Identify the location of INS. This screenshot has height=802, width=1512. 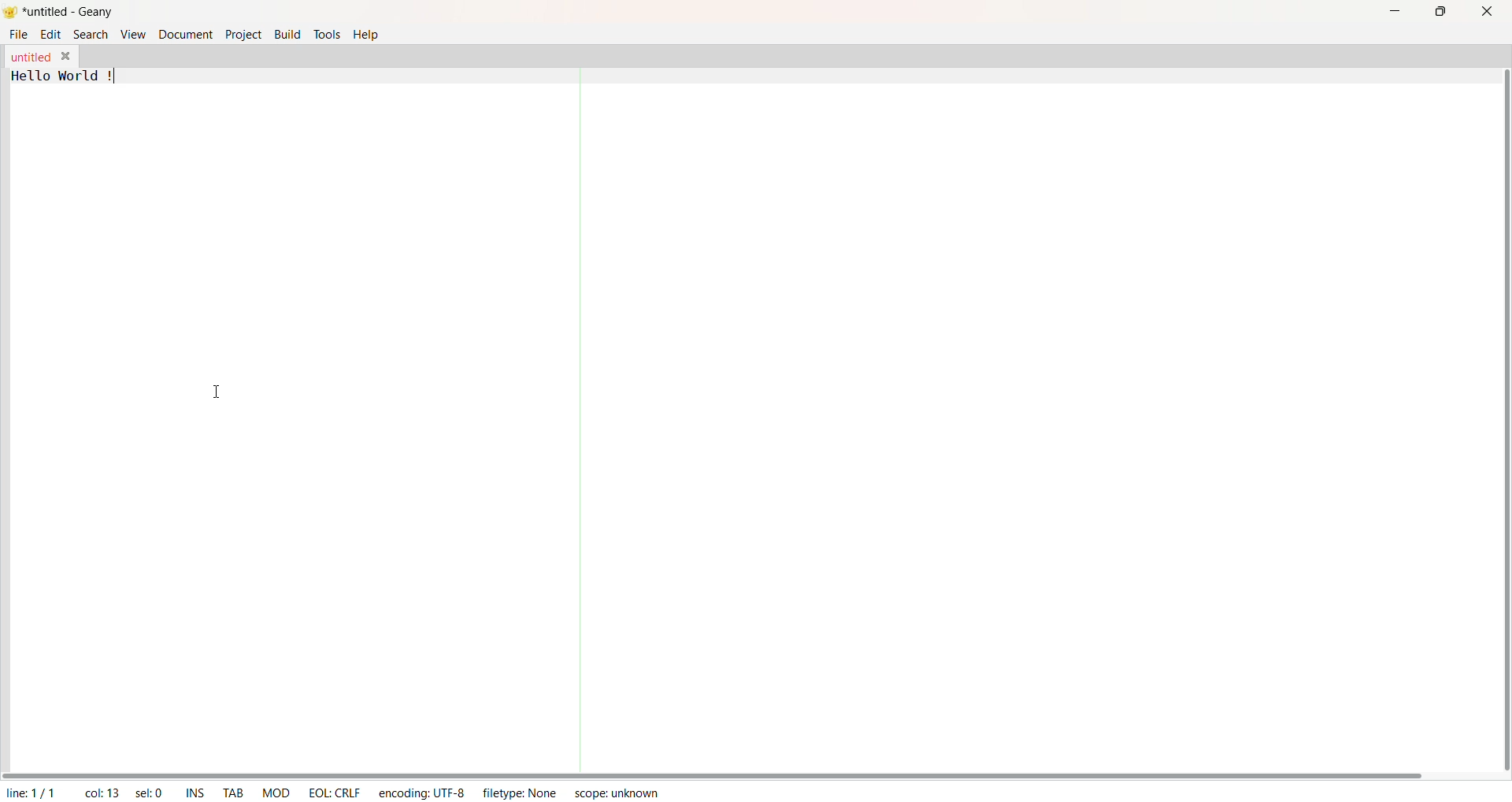
(192, 791).